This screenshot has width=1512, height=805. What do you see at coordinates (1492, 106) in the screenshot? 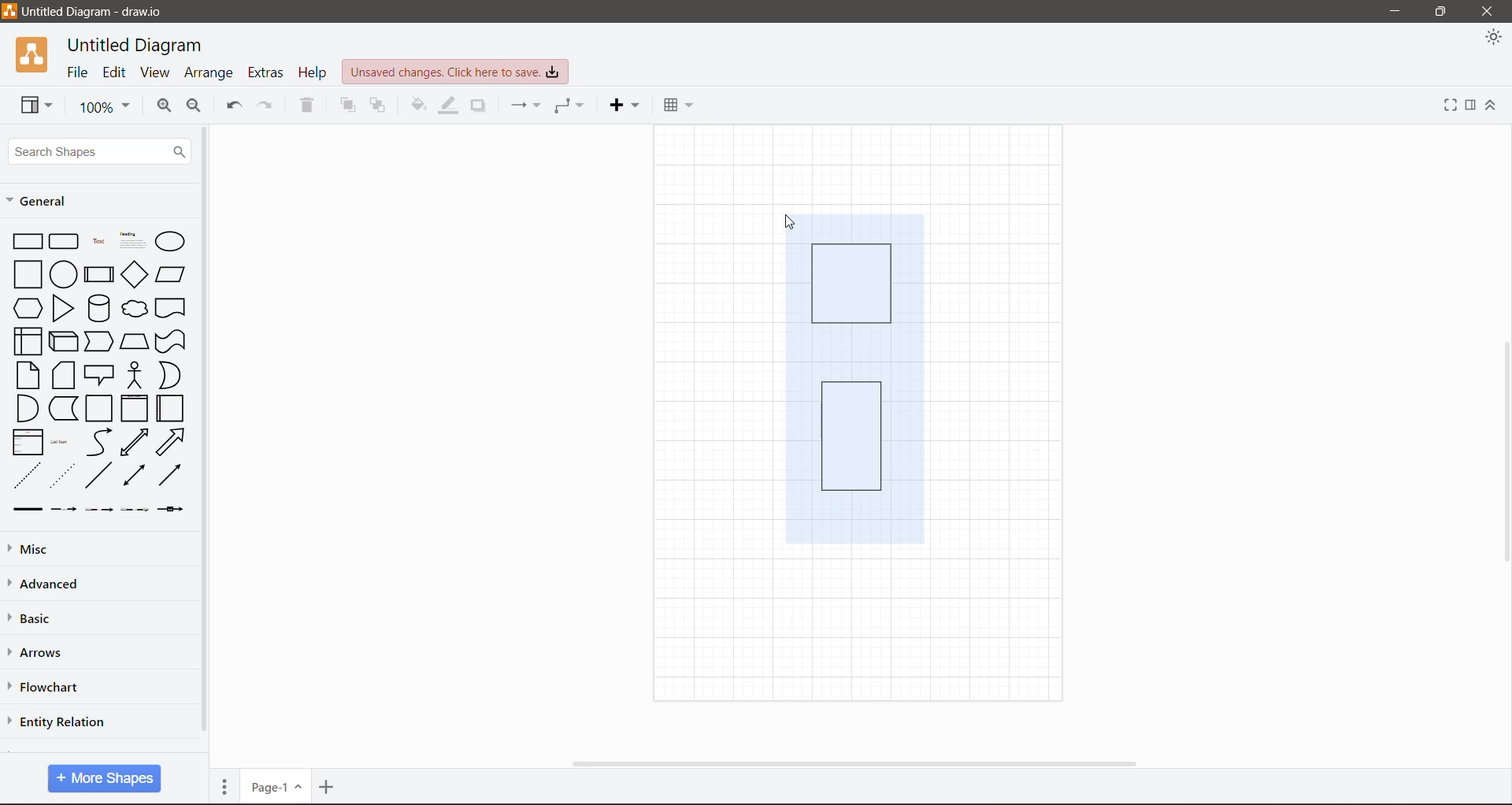
I see `Expand/Collapse` at bounding box center [1492, 106].